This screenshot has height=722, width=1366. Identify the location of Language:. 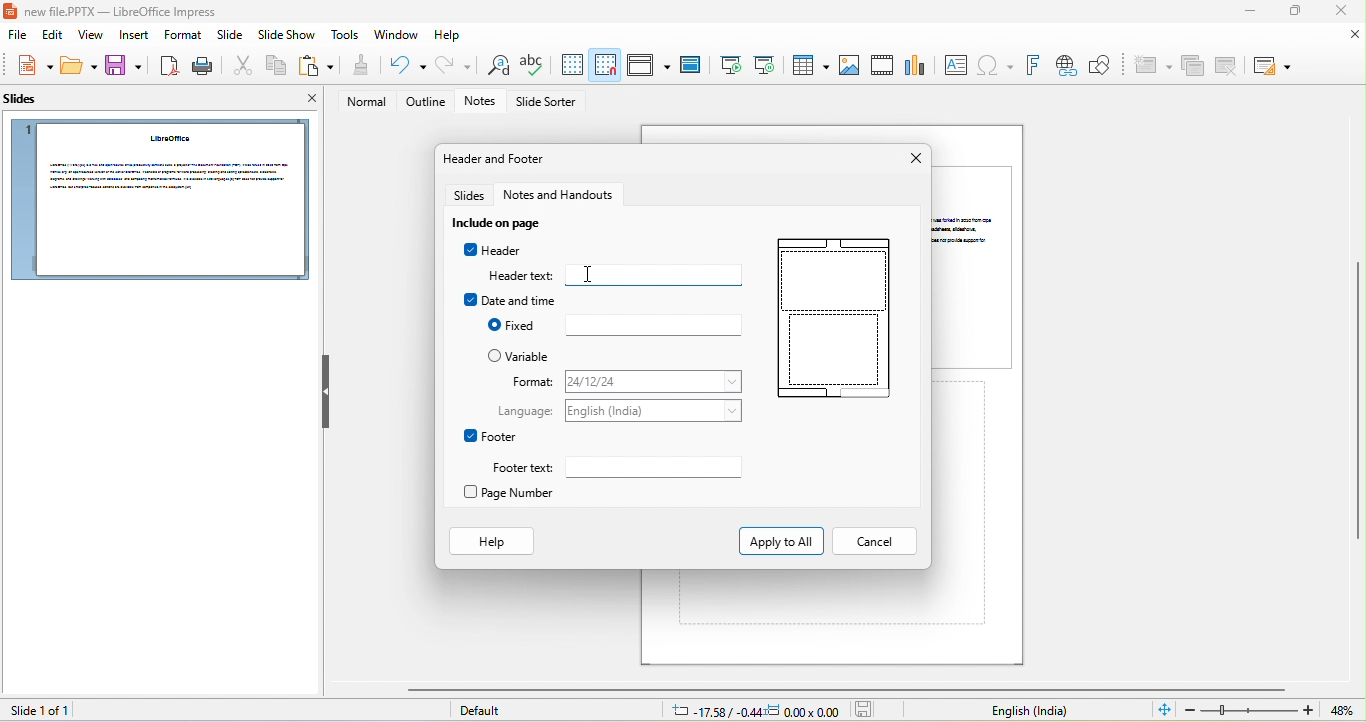
(527, 412).